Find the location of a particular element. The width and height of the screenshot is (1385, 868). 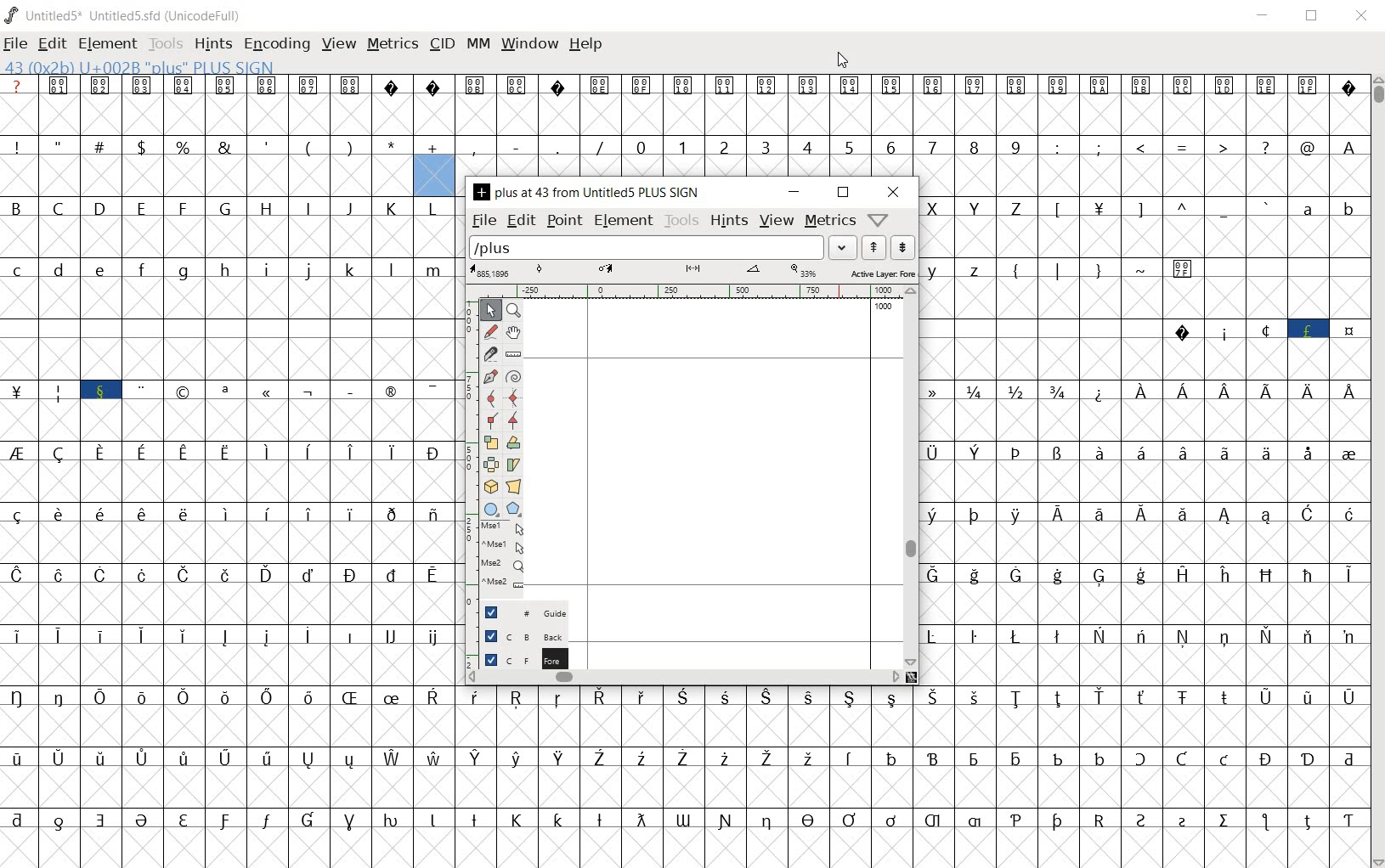

alphabets is located at coordinates (979, 228).